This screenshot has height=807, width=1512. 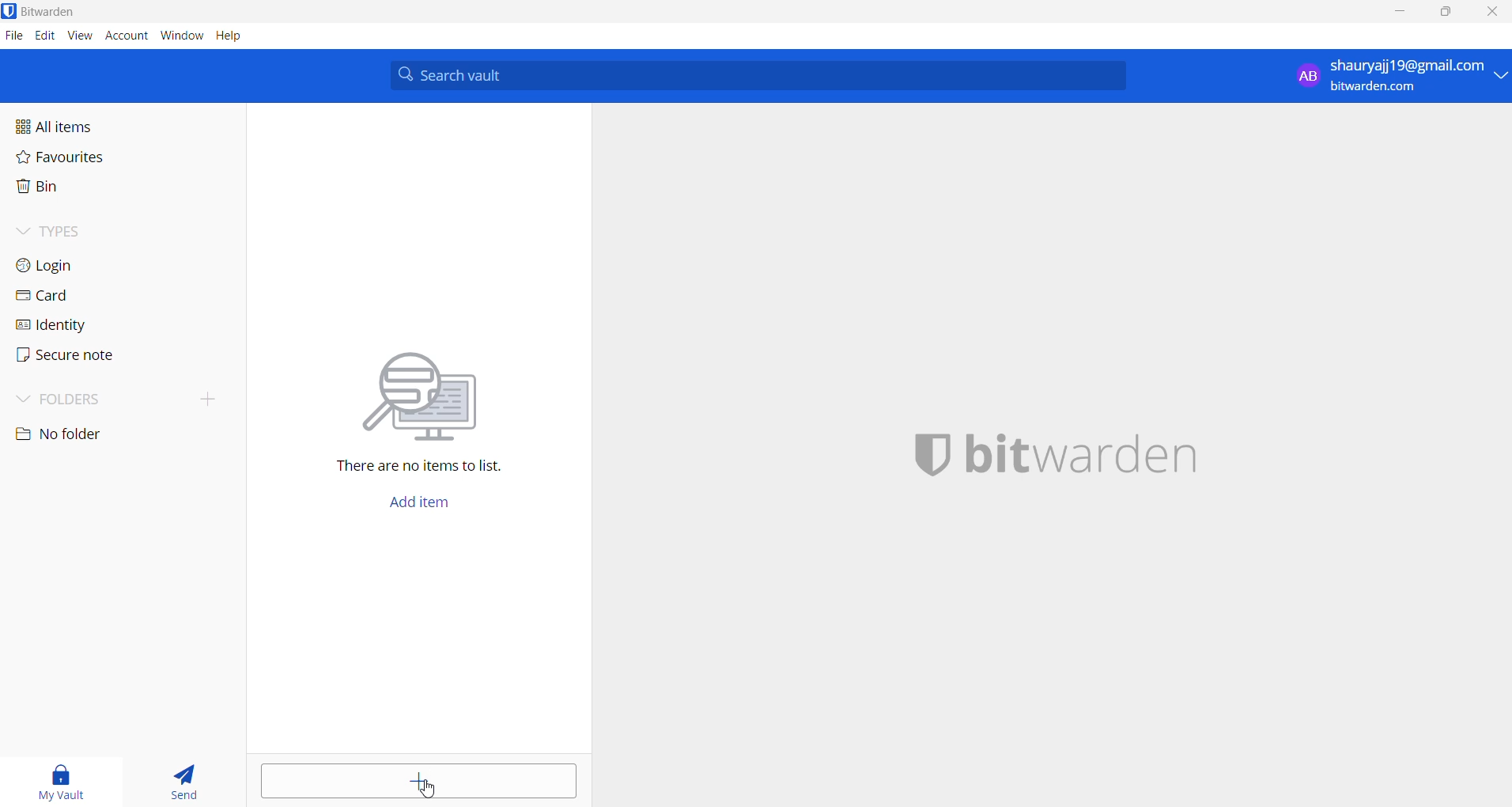 What do you see at coordinates (127, 37) in the screenshot?
I see `account` at bounding box center [127, 37].